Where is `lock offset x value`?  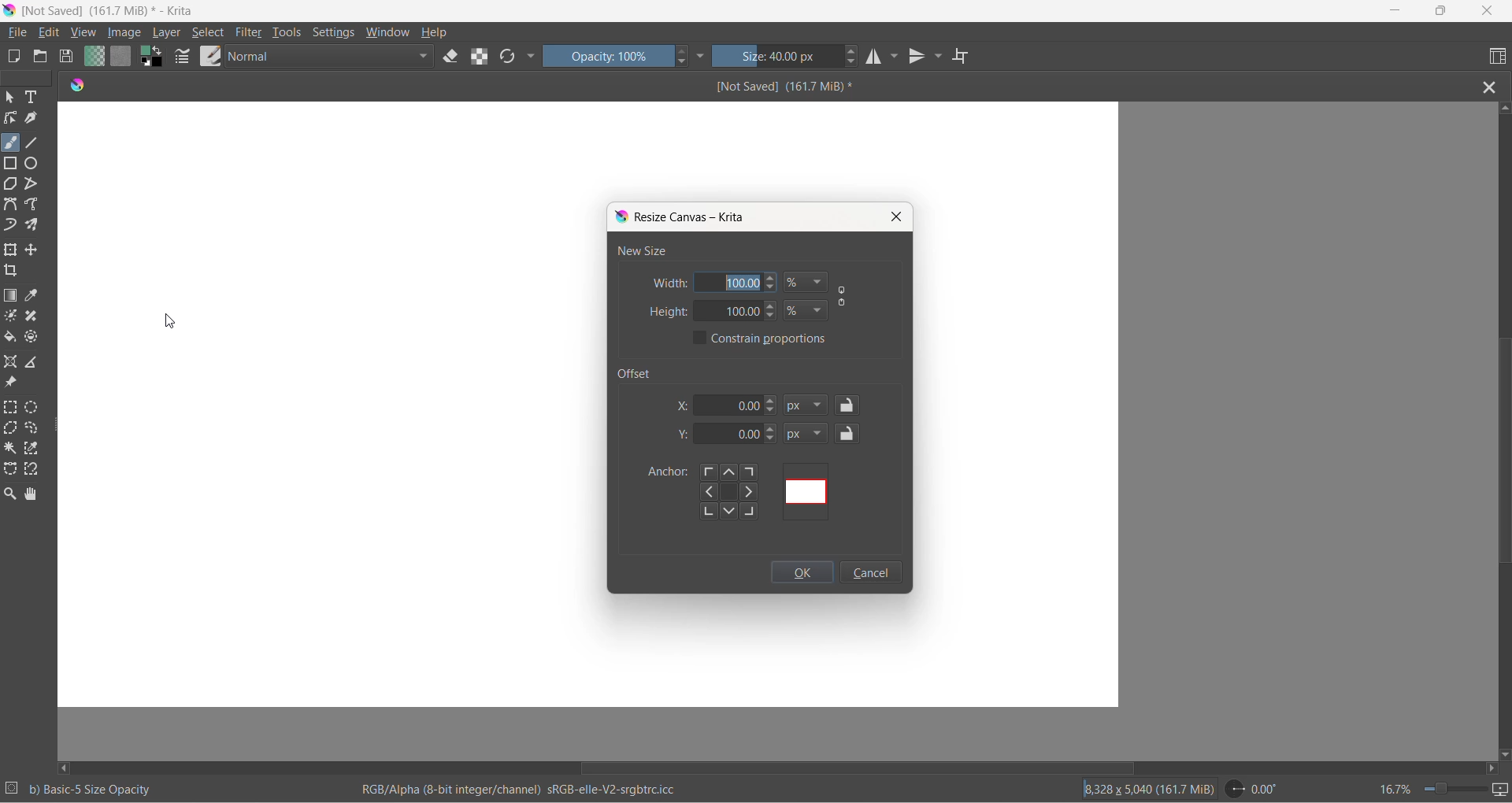 lock offset x value is located at coordinates (848, 405).